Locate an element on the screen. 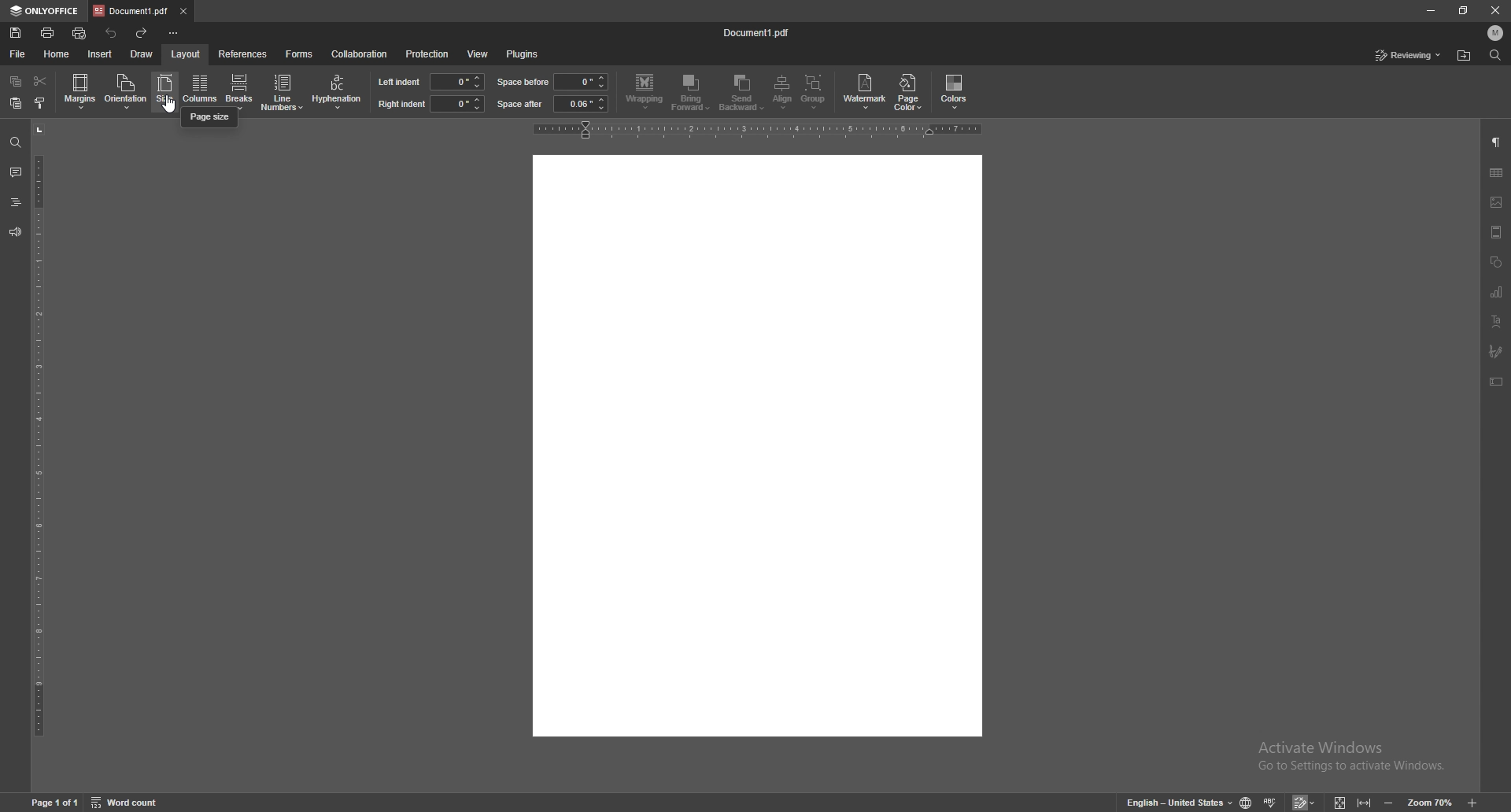 The height and width of the screenshot is (812, 1511). resize is located at coordinates (1463, 11).